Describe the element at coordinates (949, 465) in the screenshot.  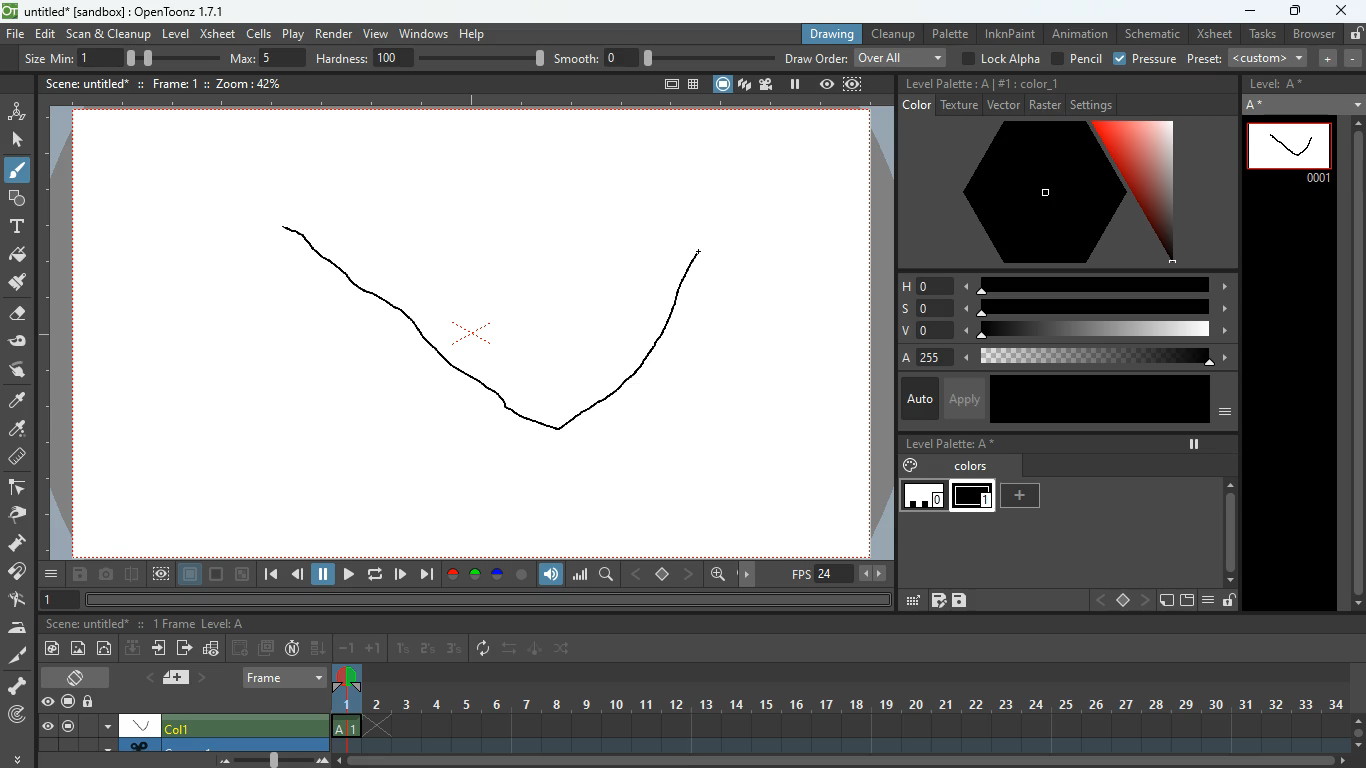
I see `colors` at that location.